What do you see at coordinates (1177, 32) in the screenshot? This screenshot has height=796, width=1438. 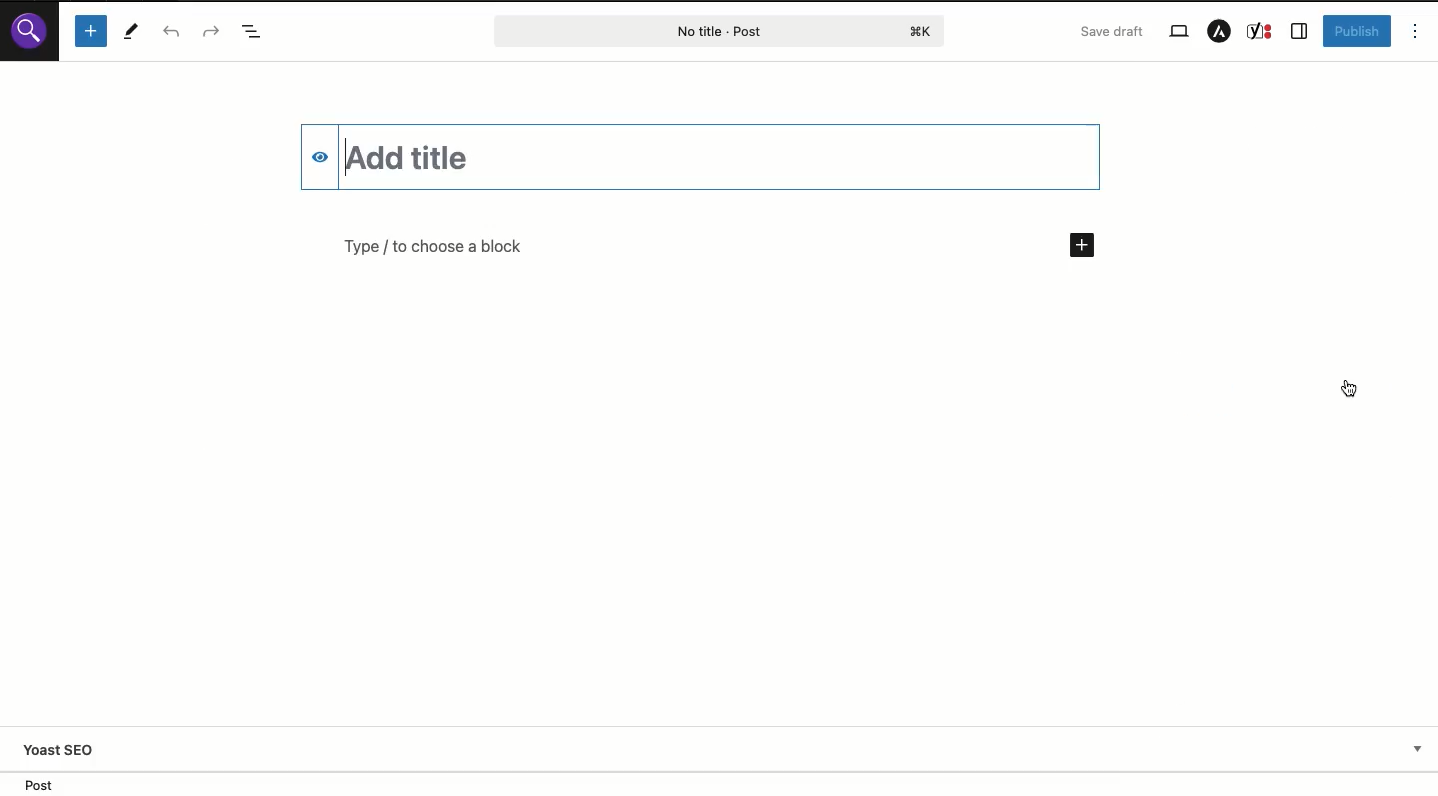 I see `View` at bounding box center [1177, 32].